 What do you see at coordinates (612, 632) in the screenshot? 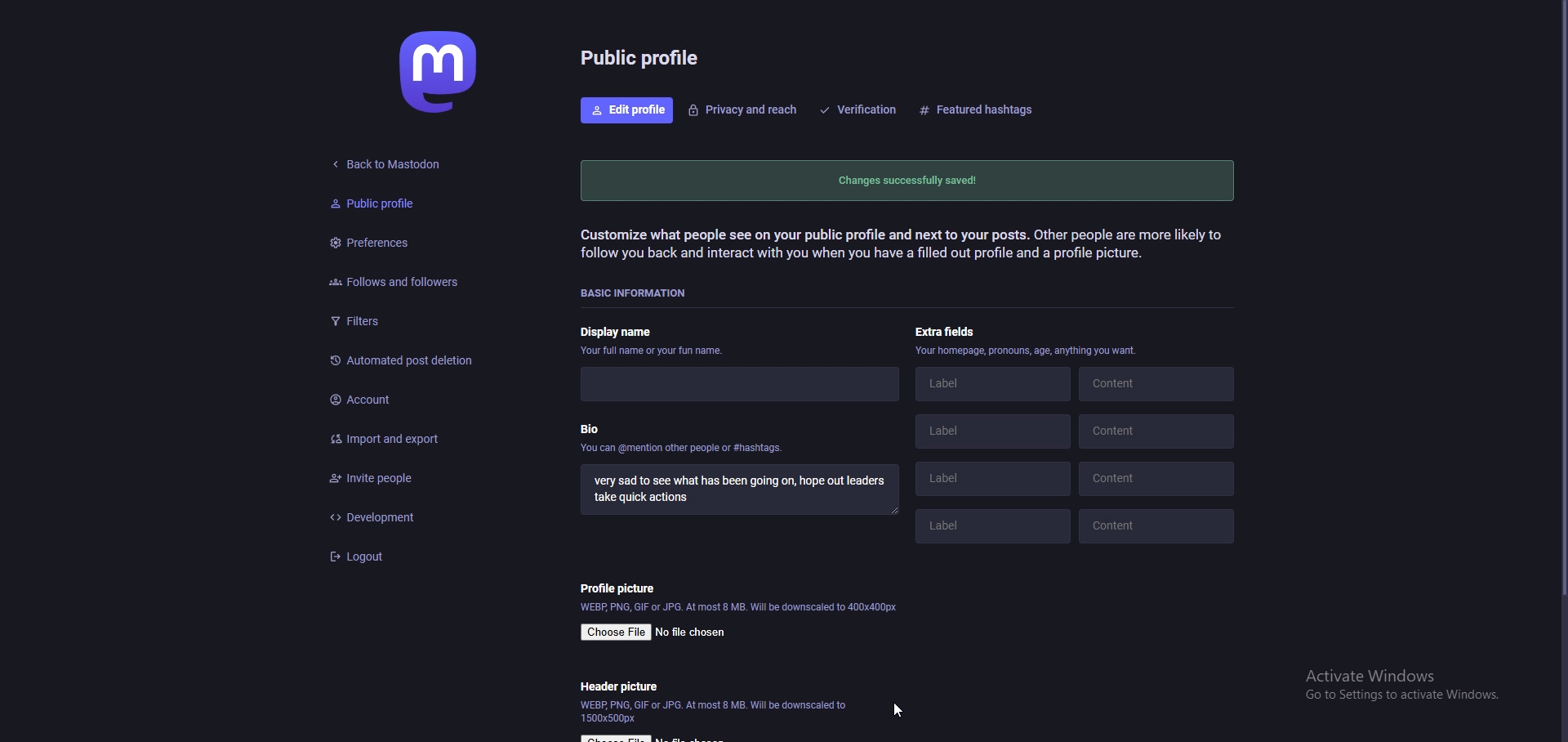
I see `Choose file` at bounding box center [612, 632].